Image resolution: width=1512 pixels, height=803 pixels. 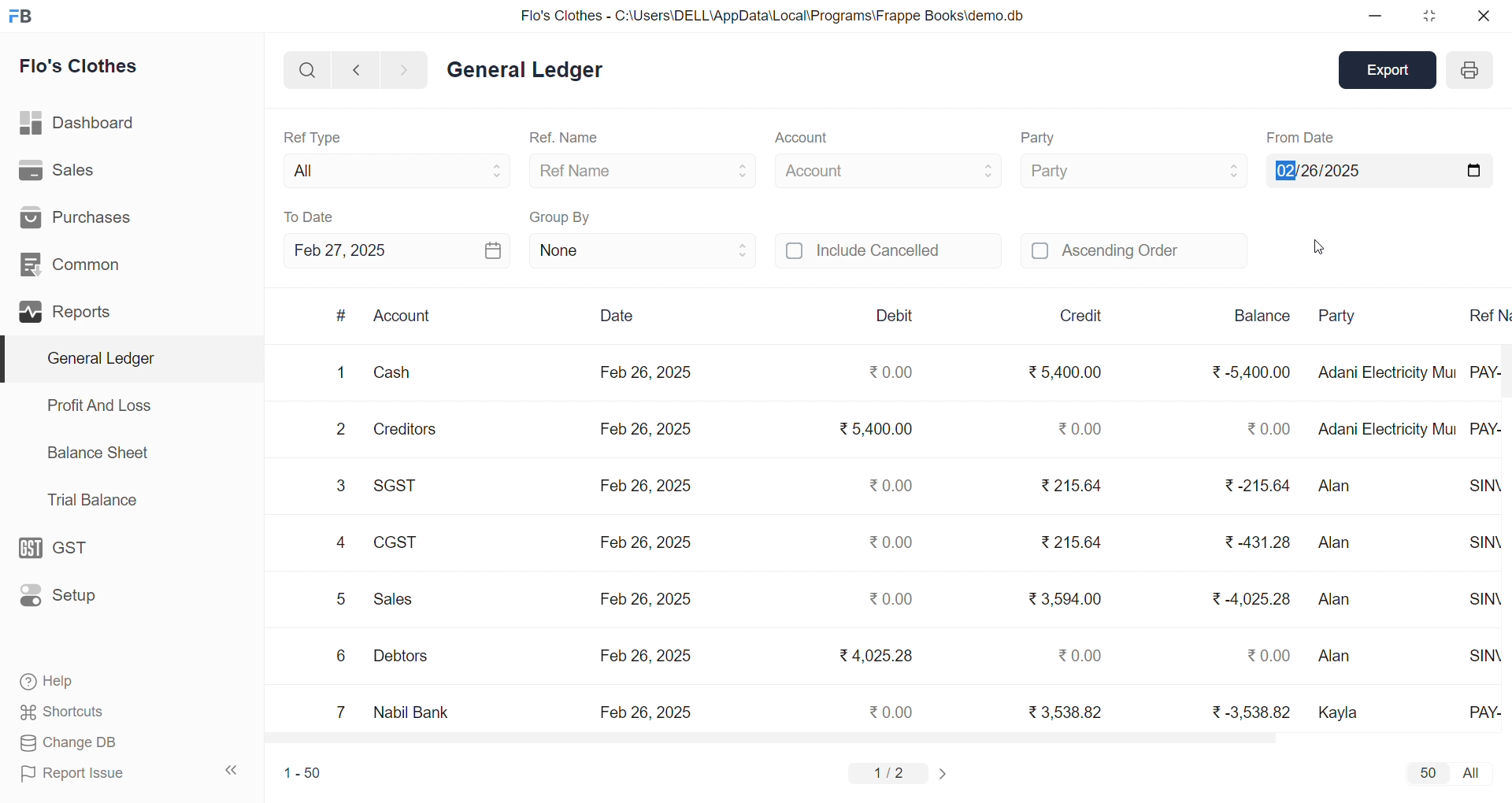 What do you see at coordinates (1480, 598) in the screenshot?
I see `SINV-` at bounding box center [1480, 598].